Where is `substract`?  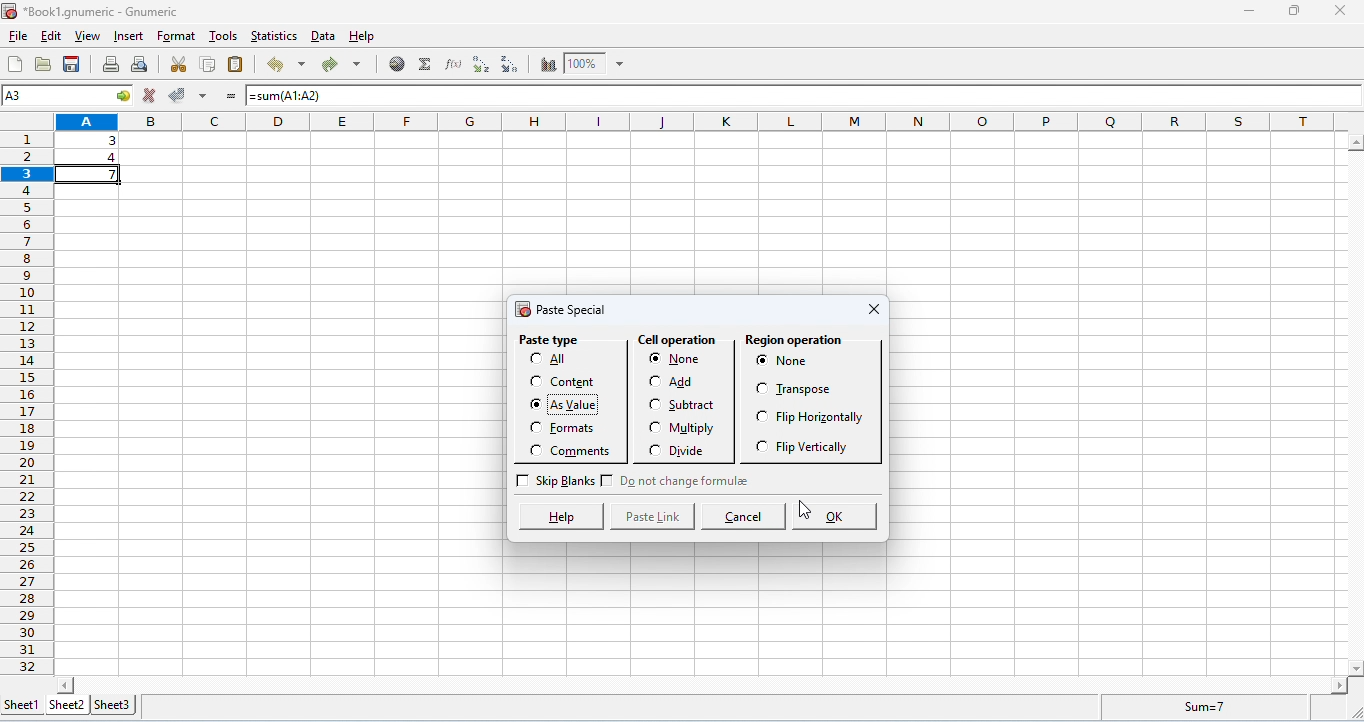 substract is located at coordinates (699, 404).